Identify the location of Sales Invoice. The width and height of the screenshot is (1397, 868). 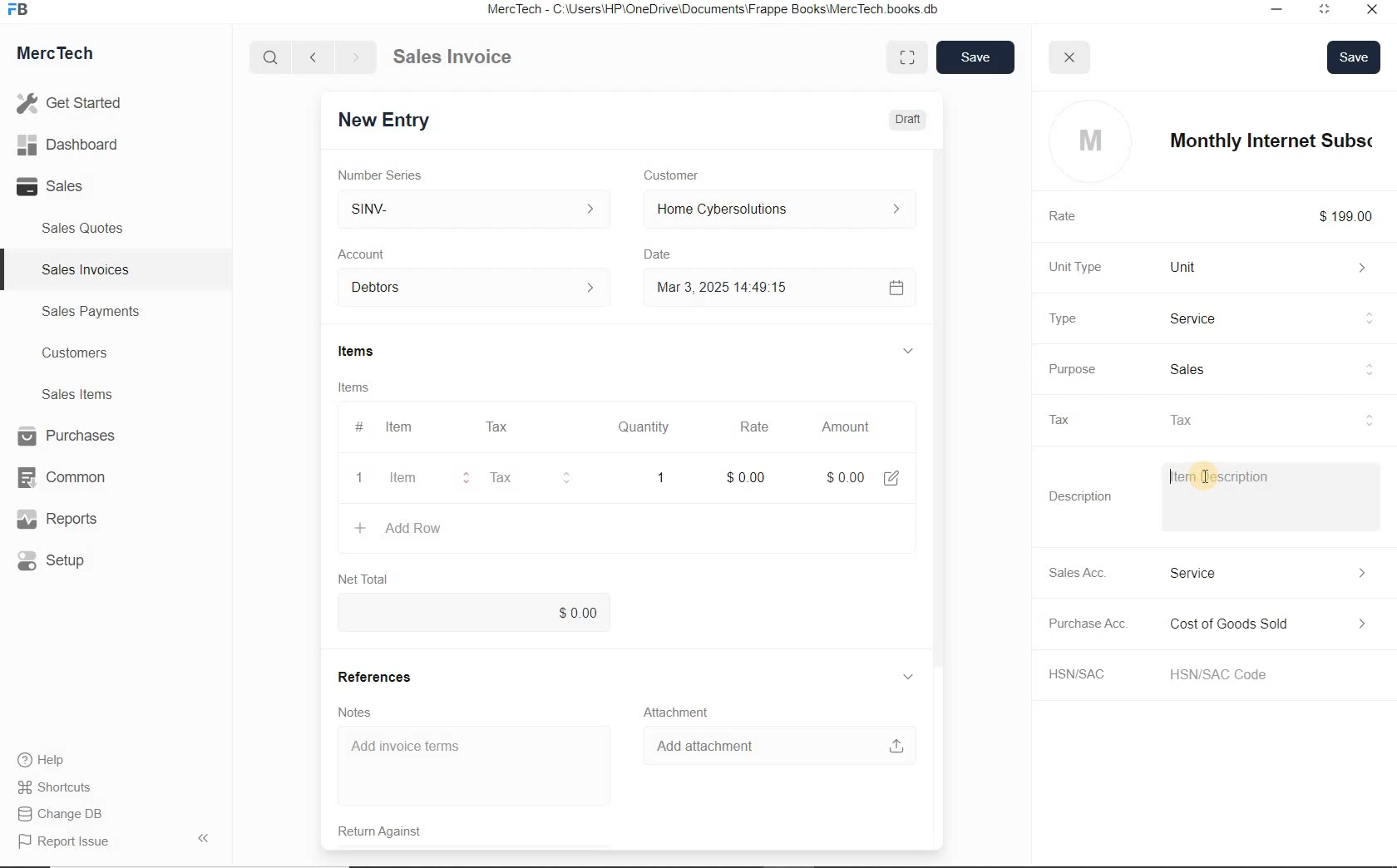
(454, 58).